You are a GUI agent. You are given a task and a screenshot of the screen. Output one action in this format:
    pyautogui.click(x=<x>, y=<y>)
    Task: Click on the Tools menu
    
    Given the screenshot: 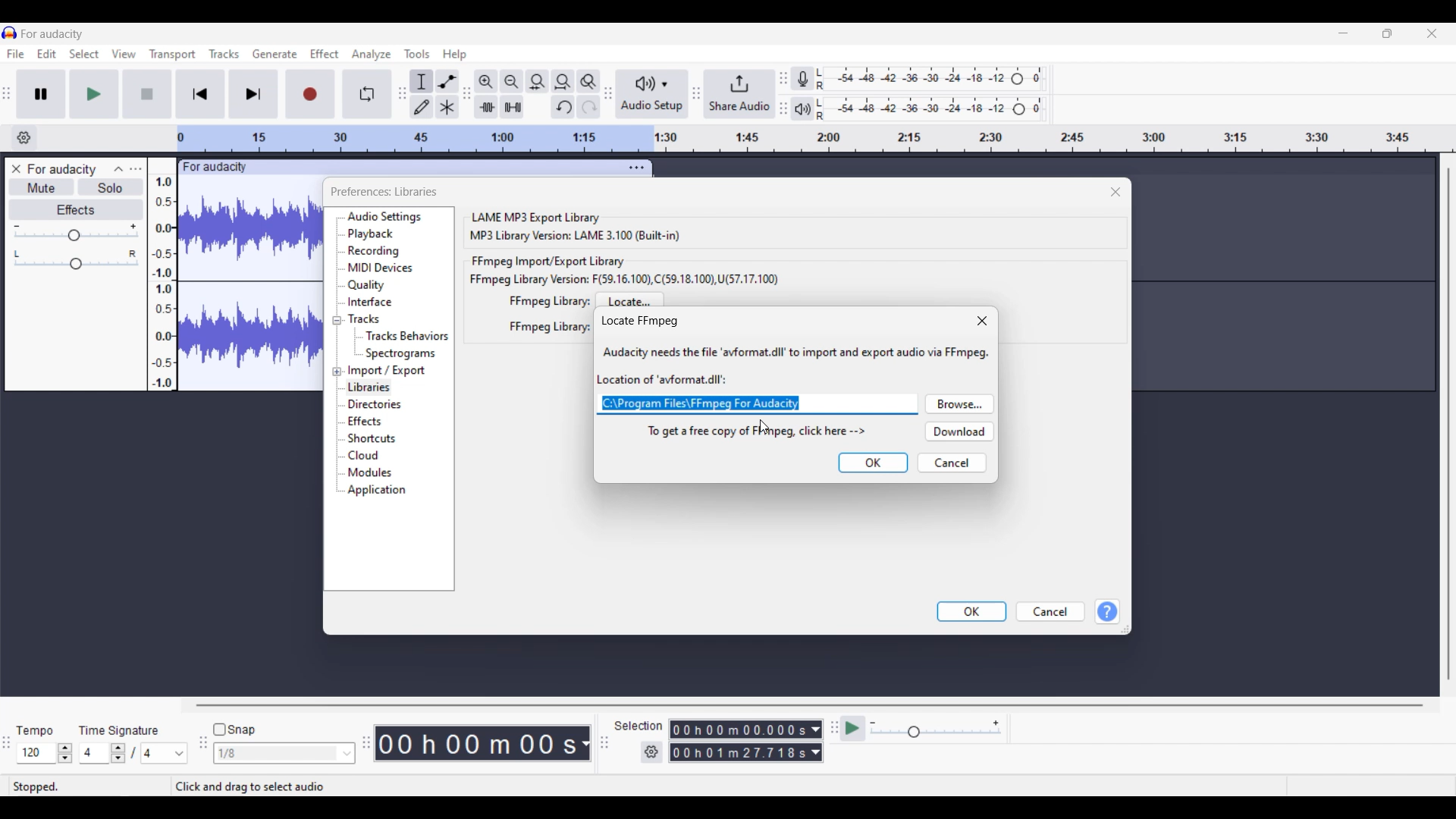 What is the action you would take?
    pyautogui.click(x=418, y=54)
    